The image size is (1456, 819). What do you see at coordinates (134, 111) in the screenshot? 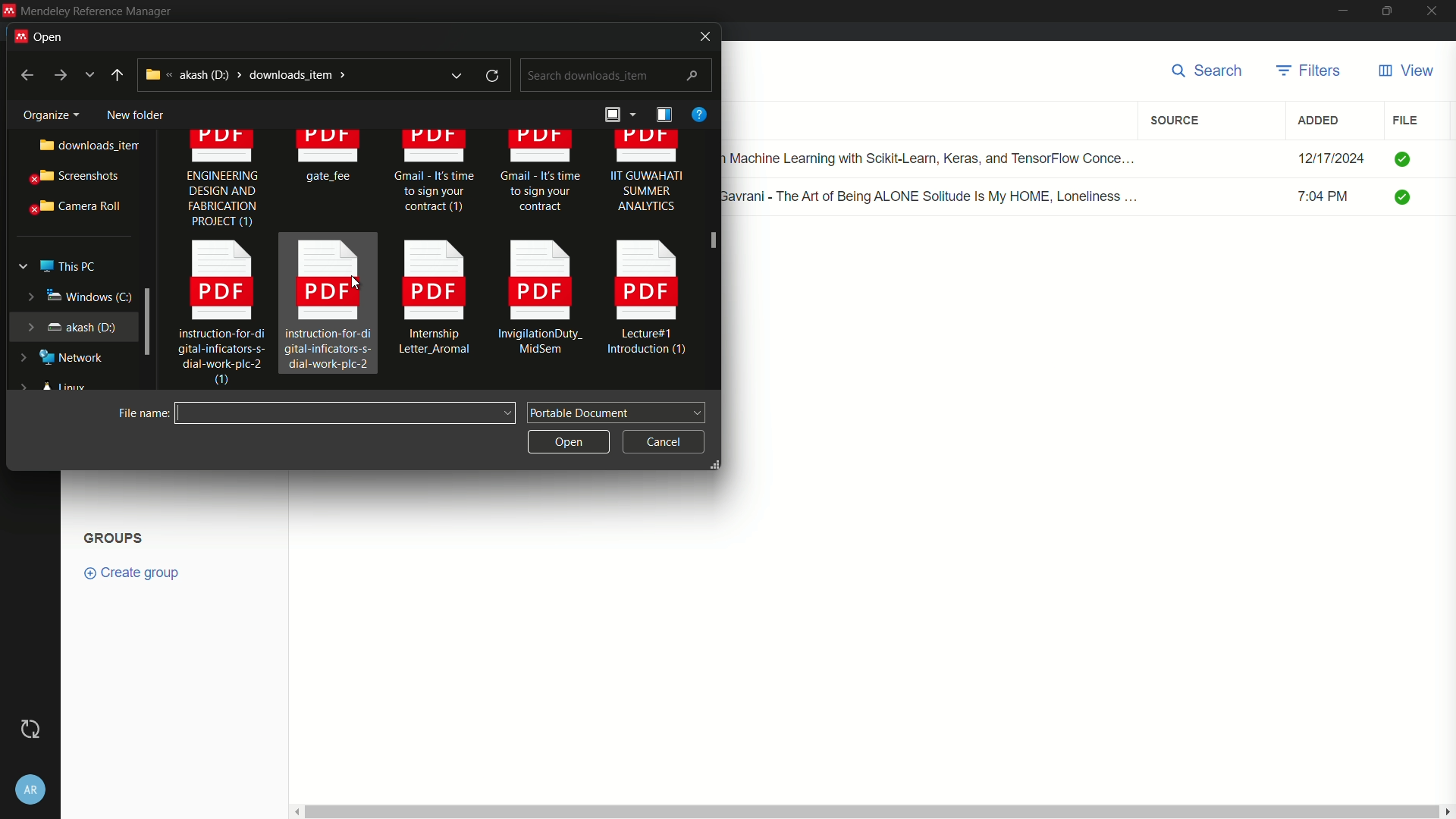
I see `new folder` at bounding box center [134, 111].